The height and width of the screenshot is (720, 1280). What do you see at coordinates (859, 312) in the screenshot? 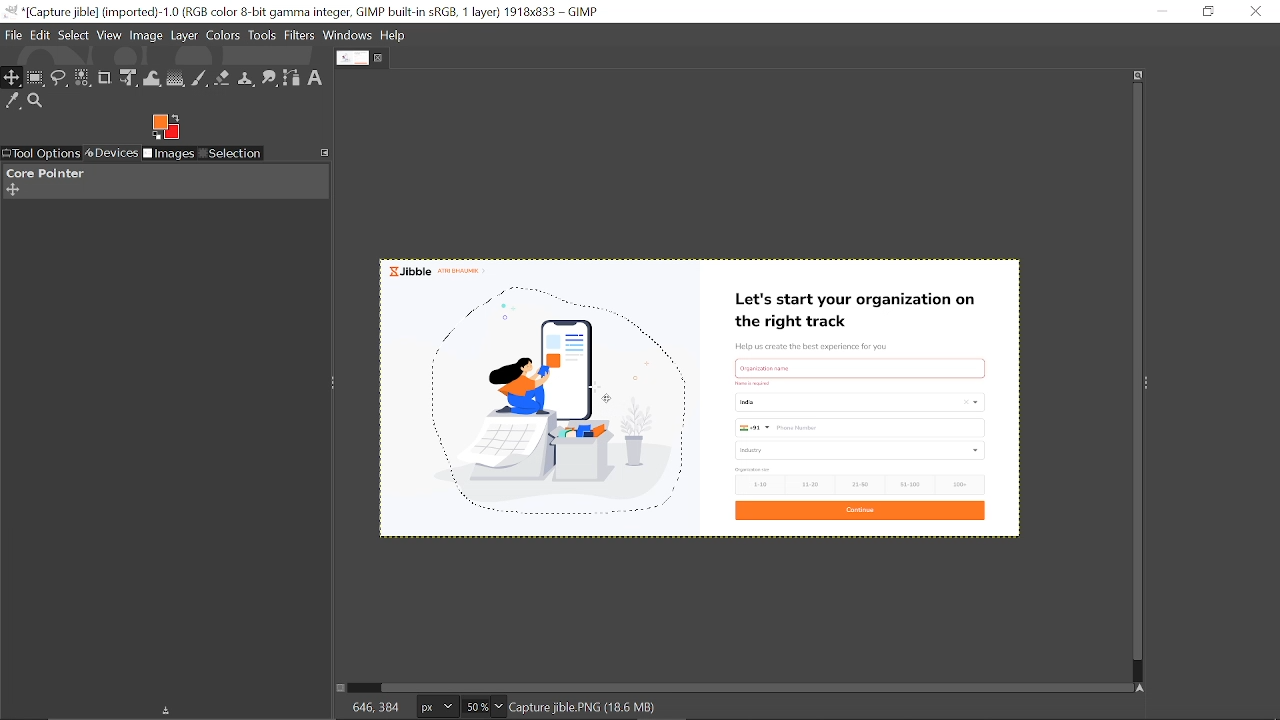
I see `Let's start your organization on
the right track` at bounding box center [859, 312].